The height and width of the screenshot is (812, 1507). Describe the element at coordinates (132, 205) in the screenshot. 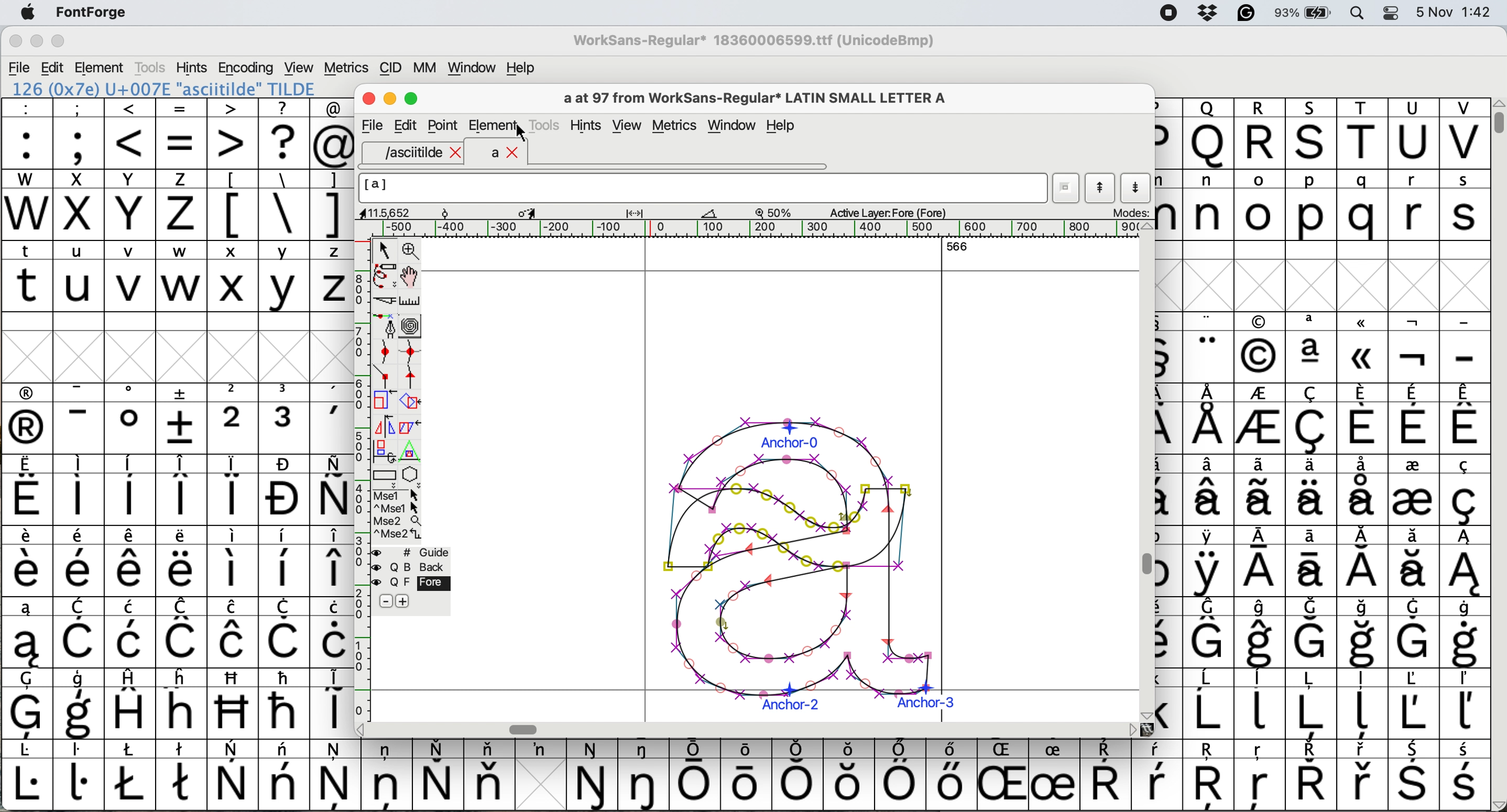

I see `Y` at that location.